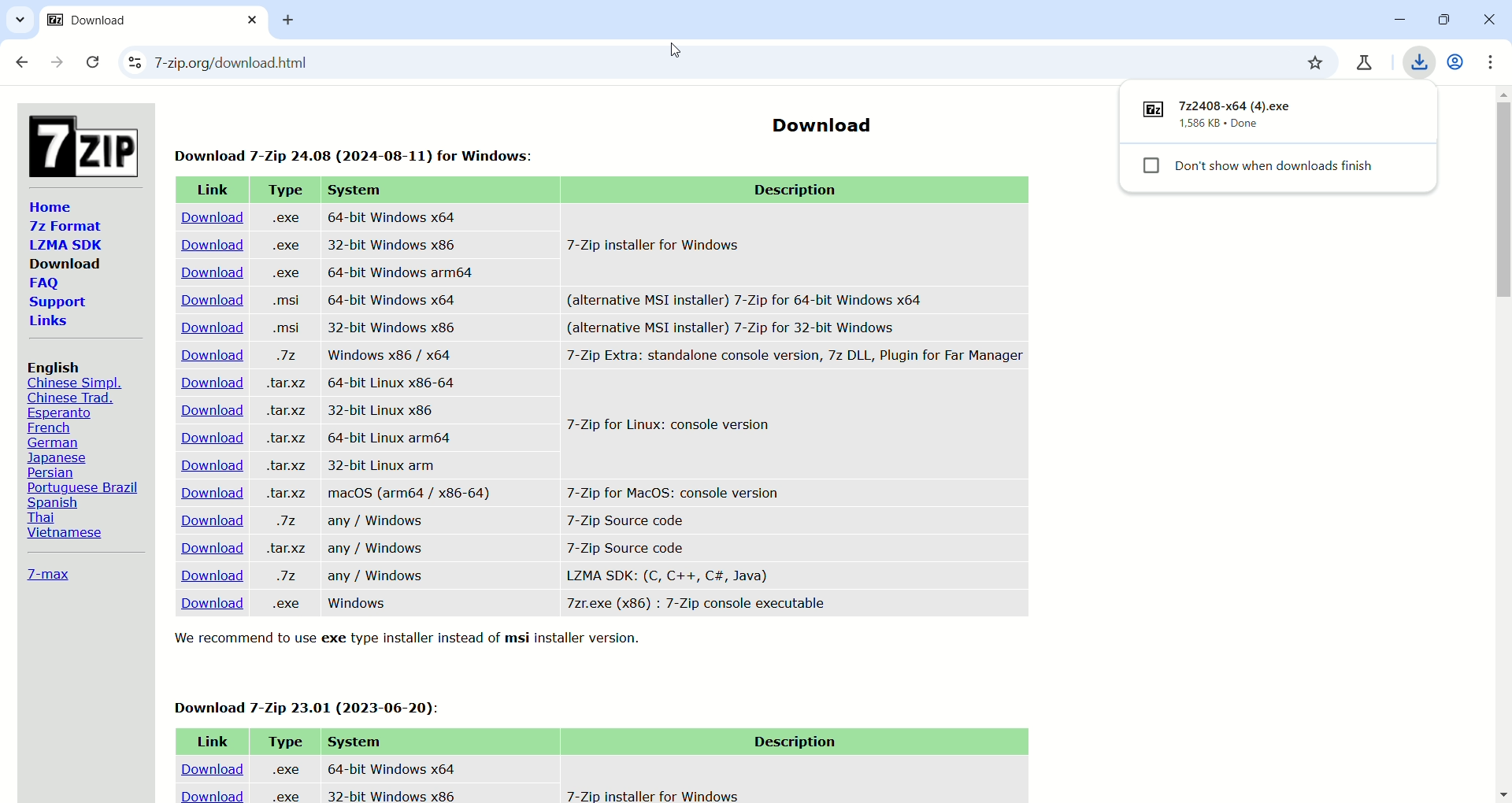  Describe the element at coordinates (57, 303) in the screenshot. I see `Support` at that location.